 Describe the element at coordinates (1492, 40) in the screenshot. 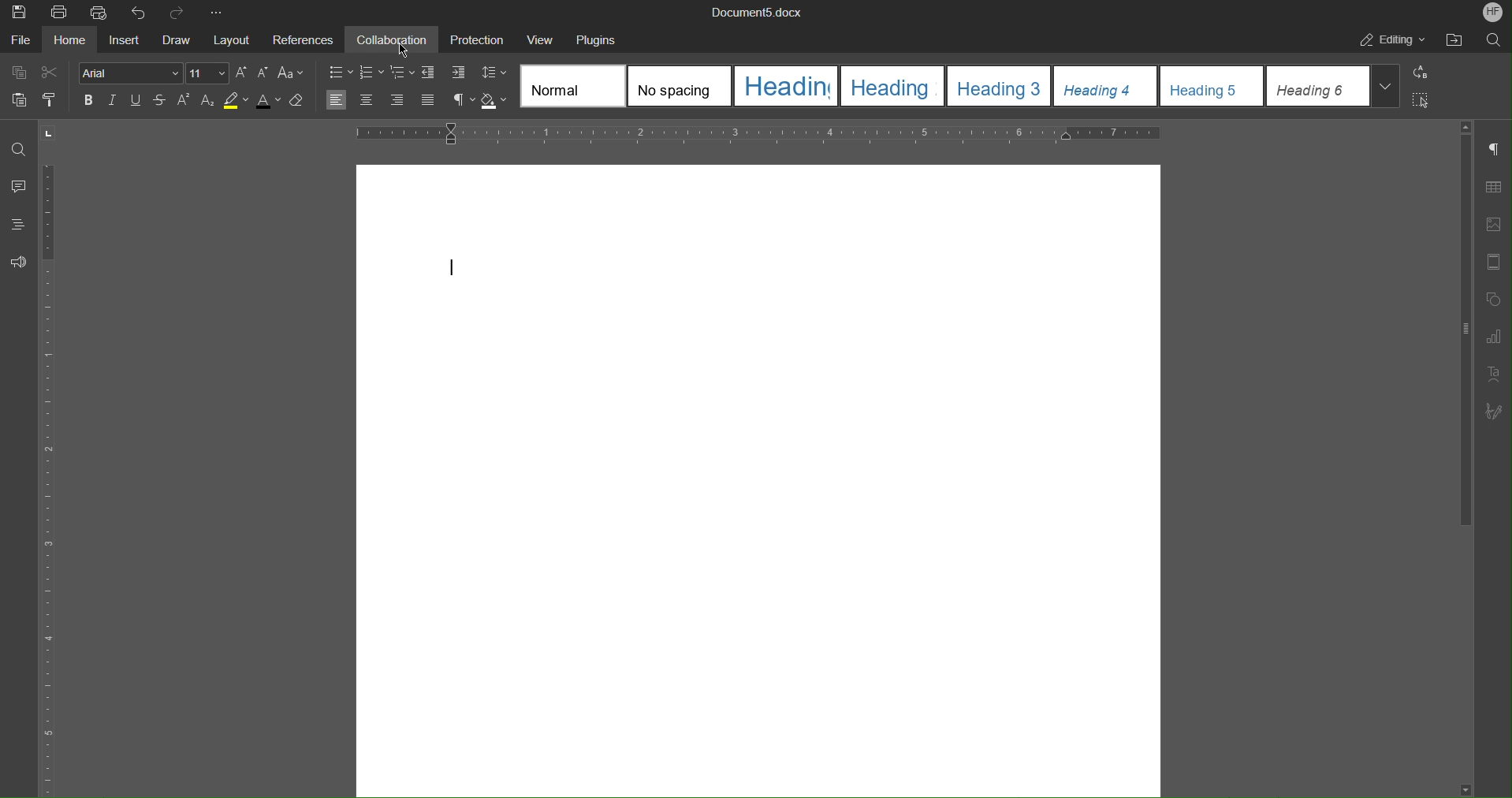

I see `Search` at that location.